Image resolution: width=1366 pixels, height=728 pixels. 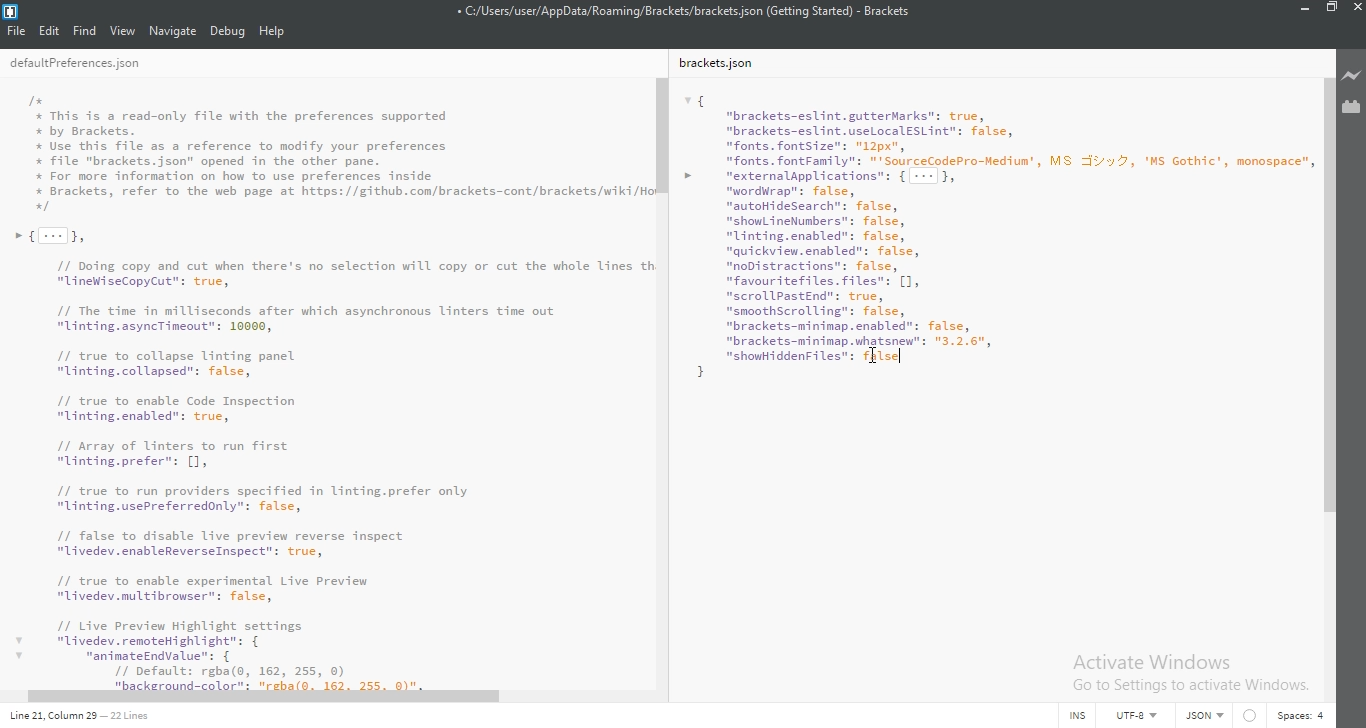 What do you see at coordinates (660, 134) in the screenshot?
I see `scroll bar` at bounding box center [660, 134].